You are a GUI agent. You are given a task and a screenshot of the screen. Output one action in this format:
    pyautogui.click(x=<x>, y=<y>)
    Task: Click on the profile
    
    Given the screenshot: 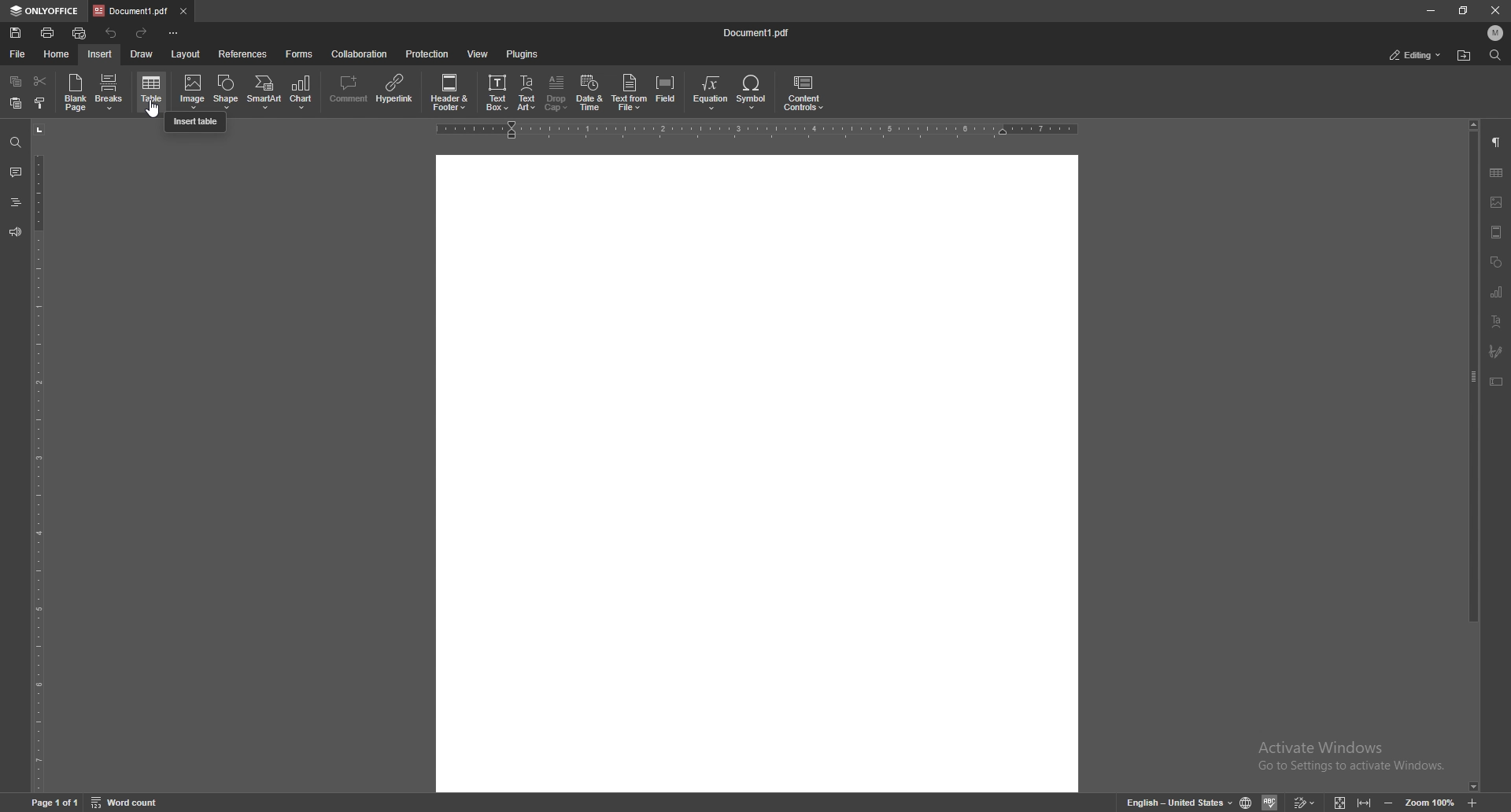 What is the action you would take?
    pyautogui.click(x=1497, y=32)
    